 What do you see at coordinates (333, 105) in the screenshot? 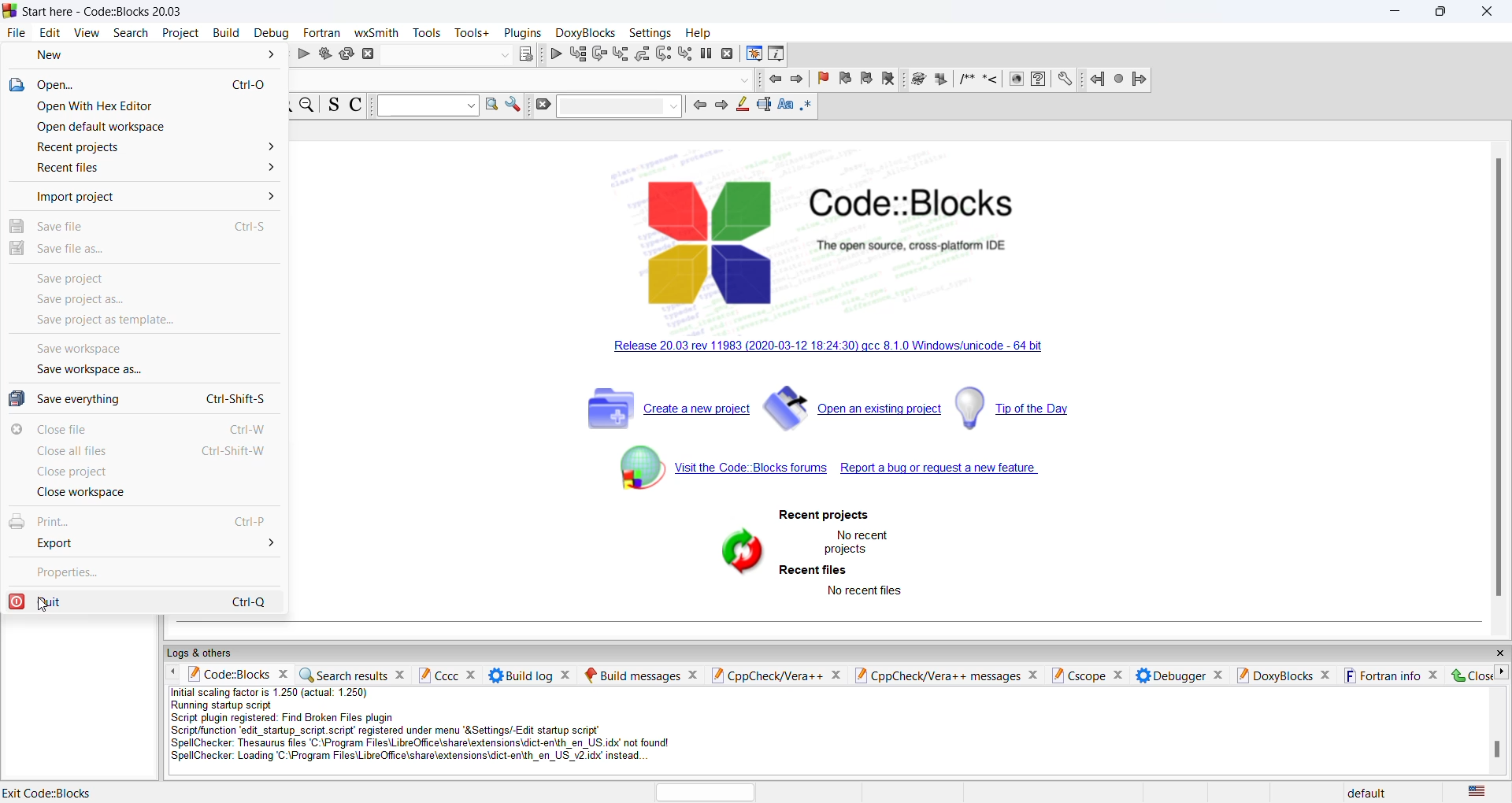
I see `toggle source` at bounding box center [333, 105].